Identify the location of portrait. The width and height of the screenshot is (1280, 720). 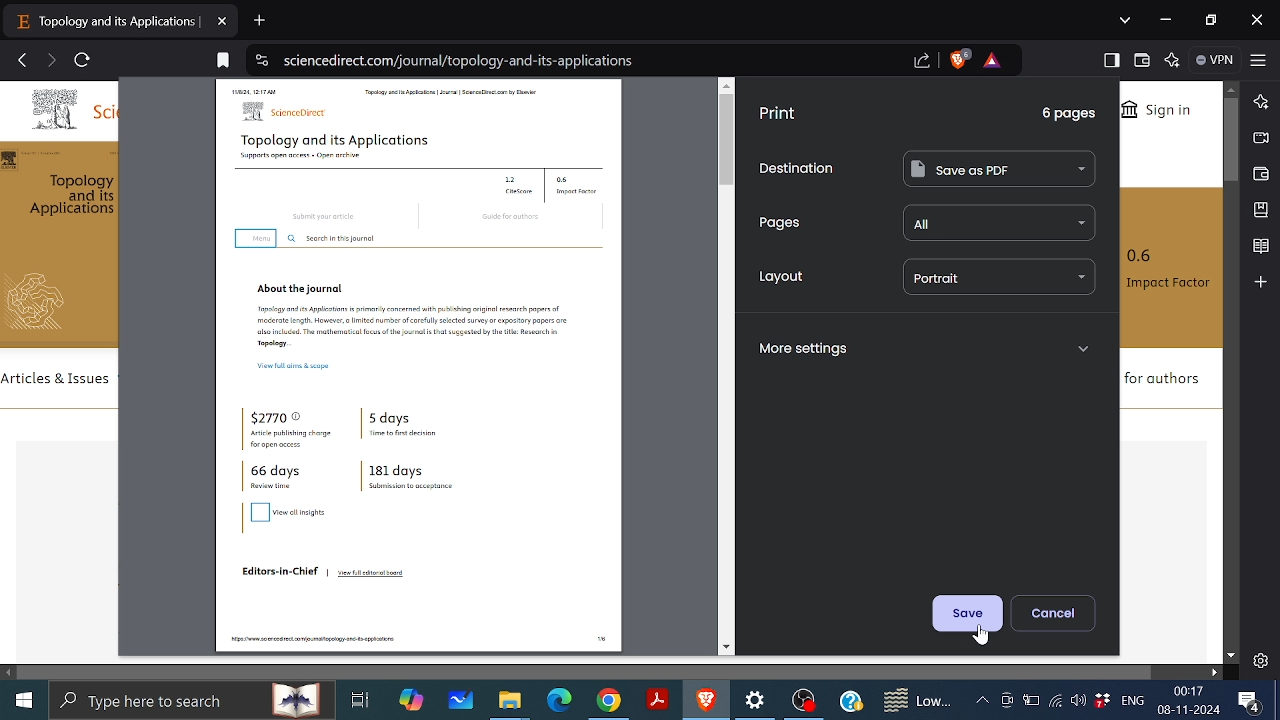
(997, 276).